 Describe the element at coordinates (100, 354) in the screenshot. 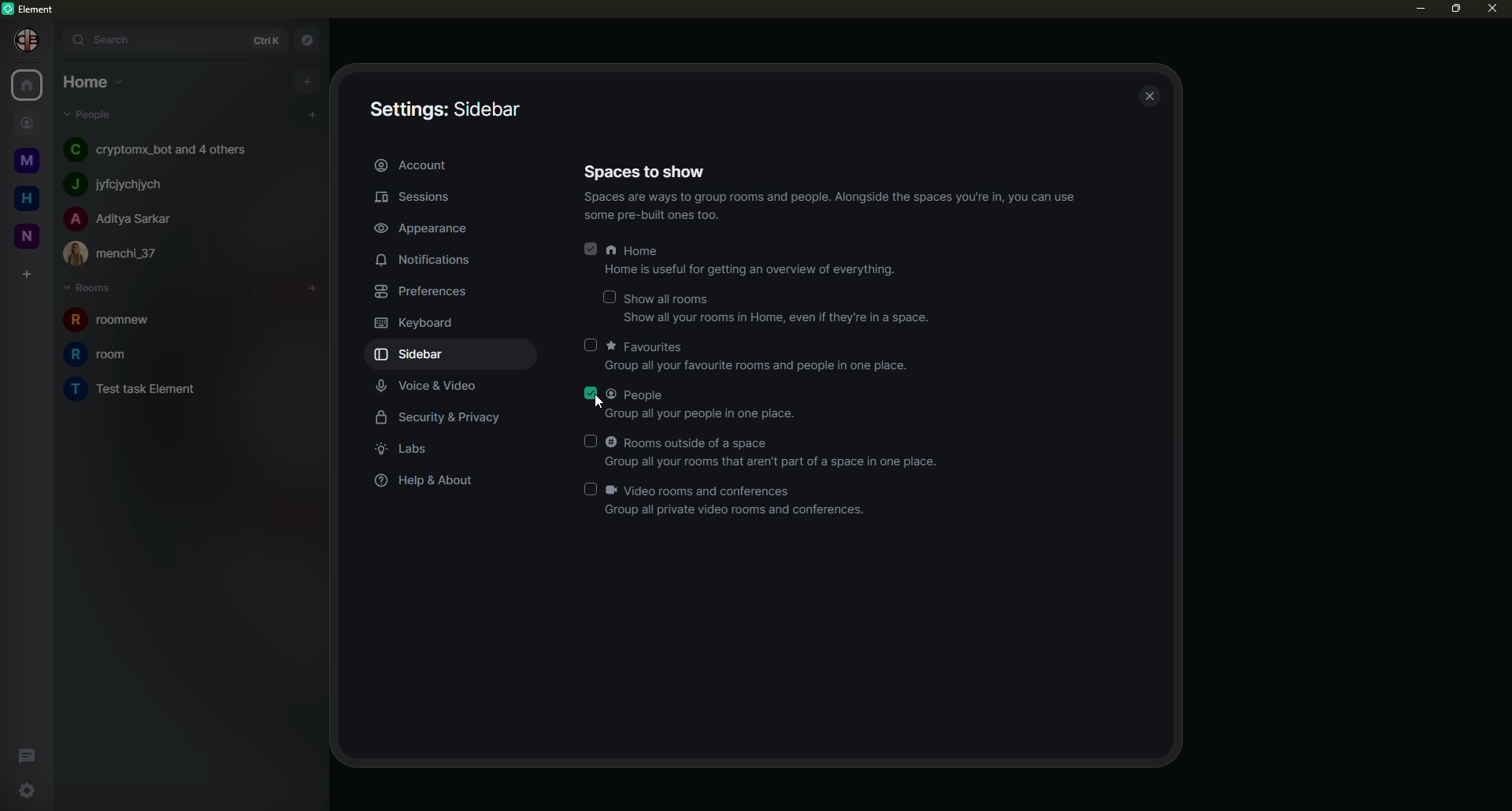

I see `room` at that location.